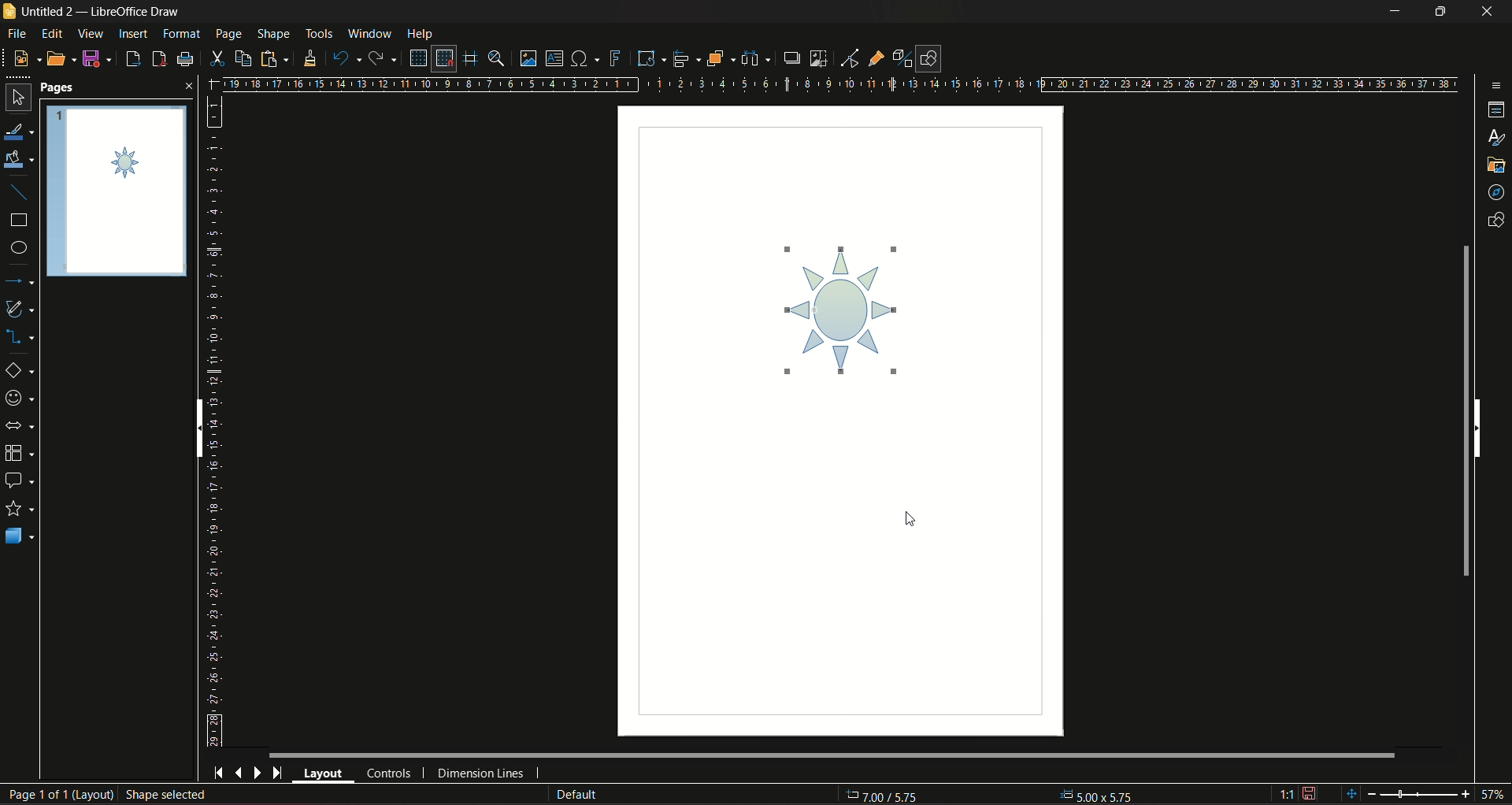 The height and width of the screenshot is (805, 1512). What do you see at coordinates (850, 303) in the screenshot?
I see `color change in object` at bounding box center [850, 303].